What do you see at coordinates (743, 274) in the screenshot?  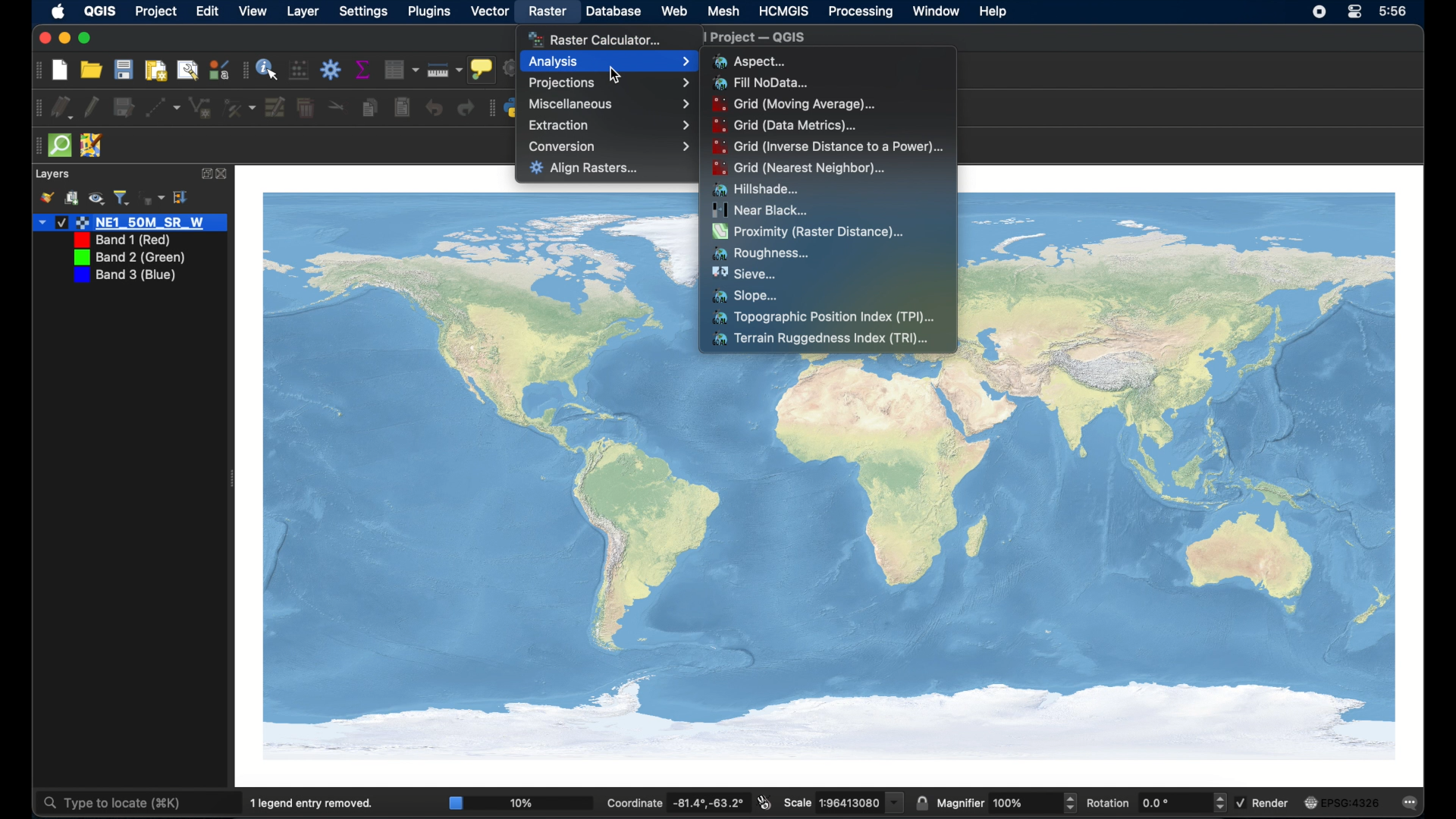 I see `sieve` at bounding box center [743, 274].